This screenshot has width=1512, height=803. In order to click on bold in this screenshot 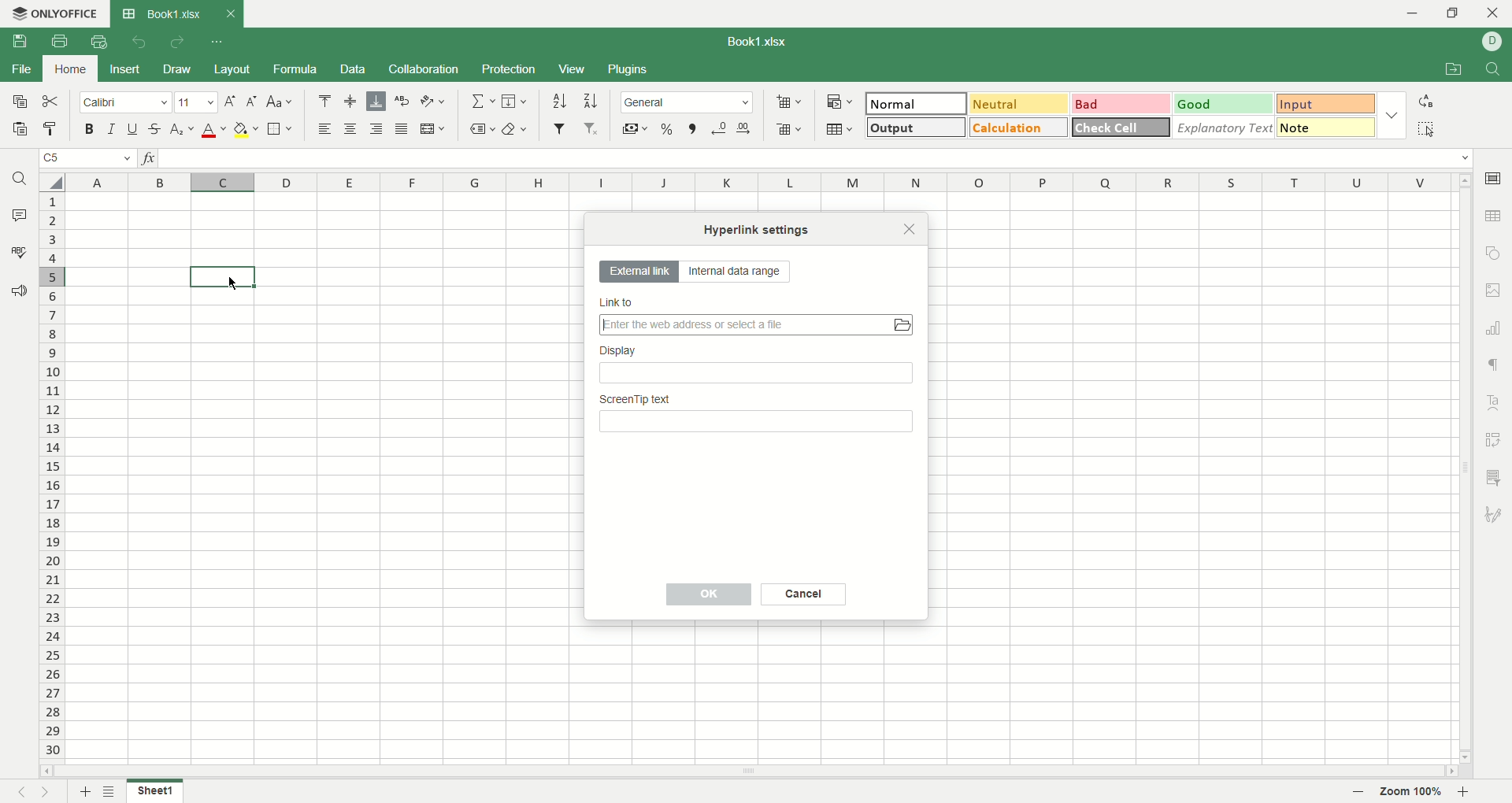, I will do `click(93, 130)`.